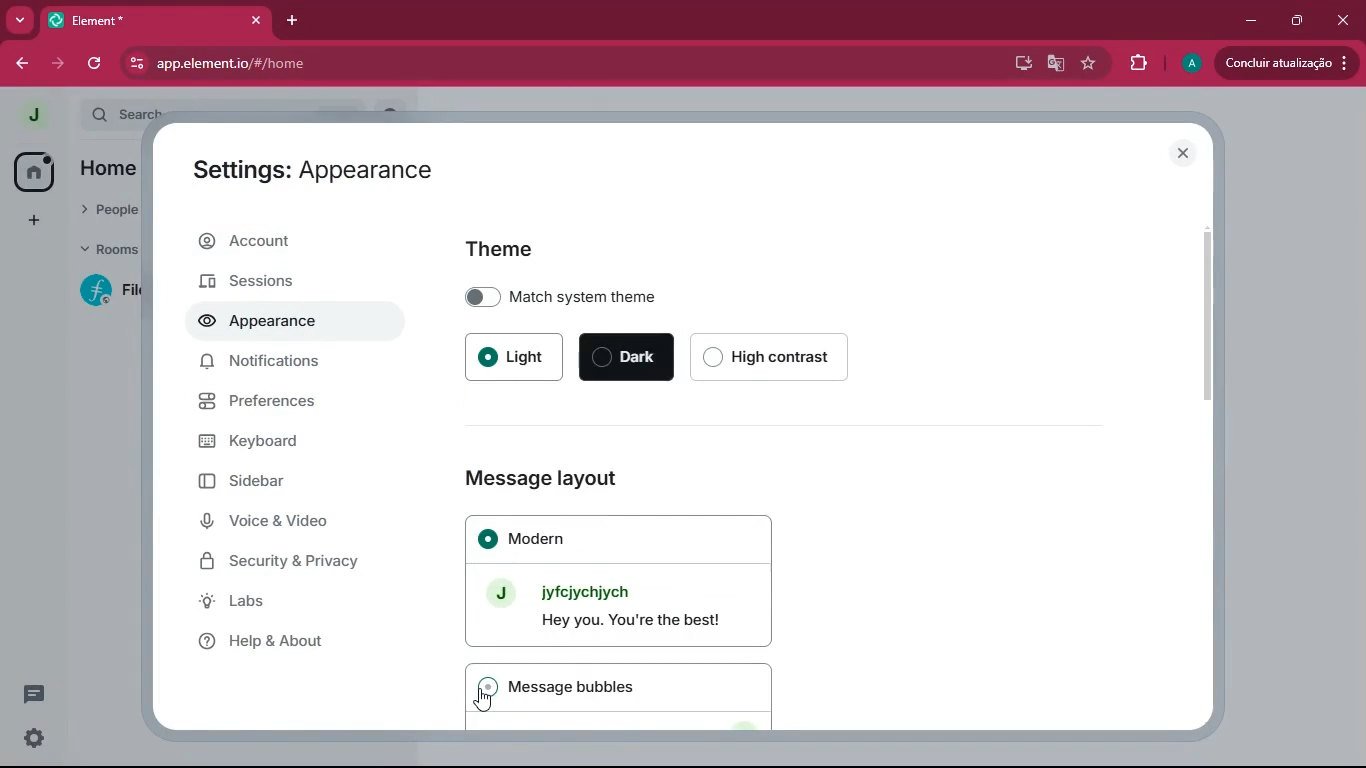 Image resolution: width=1366 pixels, height=768 pixels. Describe the element at coordinates (36, 694) in the screenshot. I see `message` at that location.